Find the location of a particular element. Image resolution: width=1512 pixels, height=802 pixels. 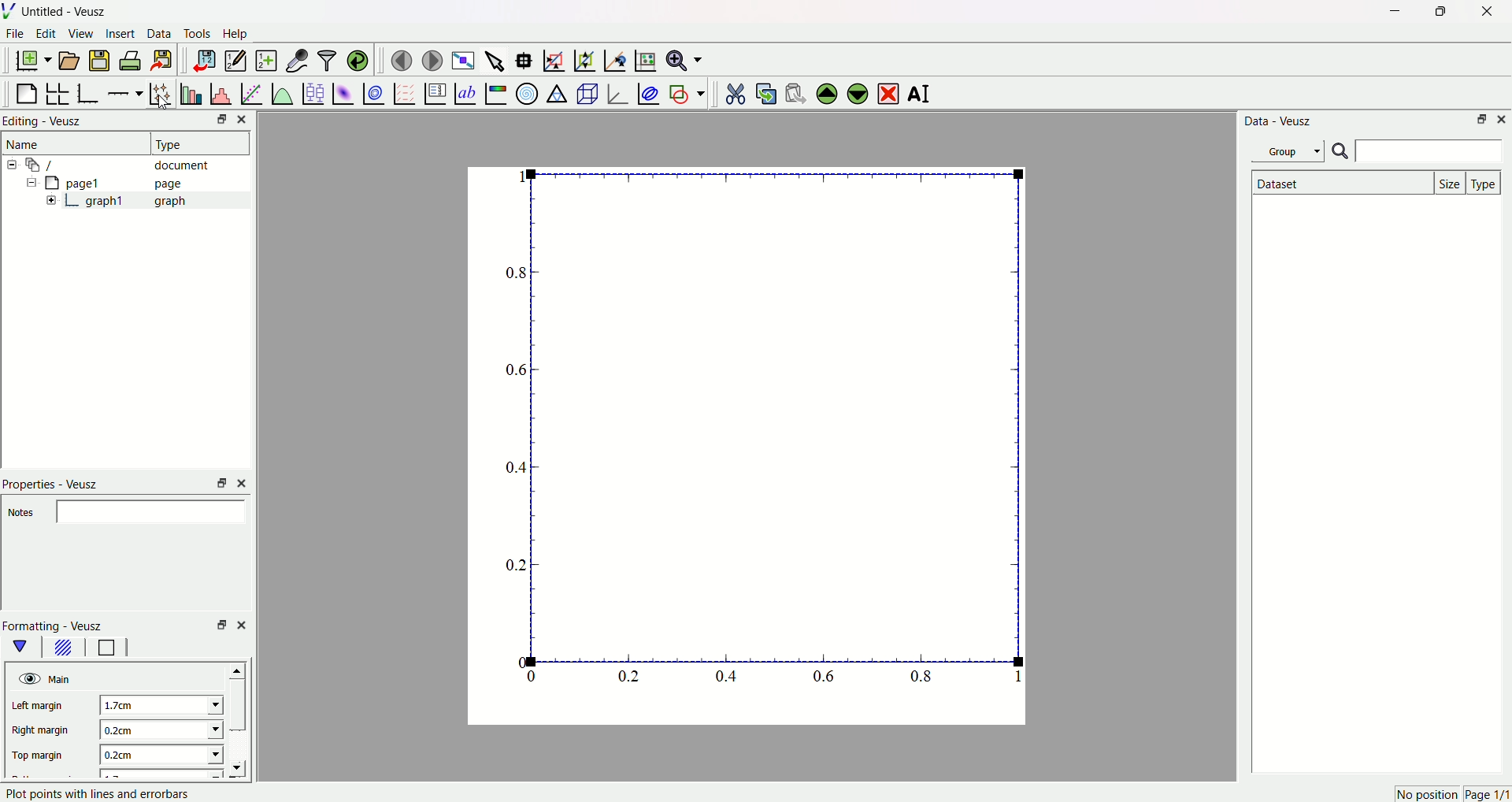

collapse is located at coordinates (14, 165).